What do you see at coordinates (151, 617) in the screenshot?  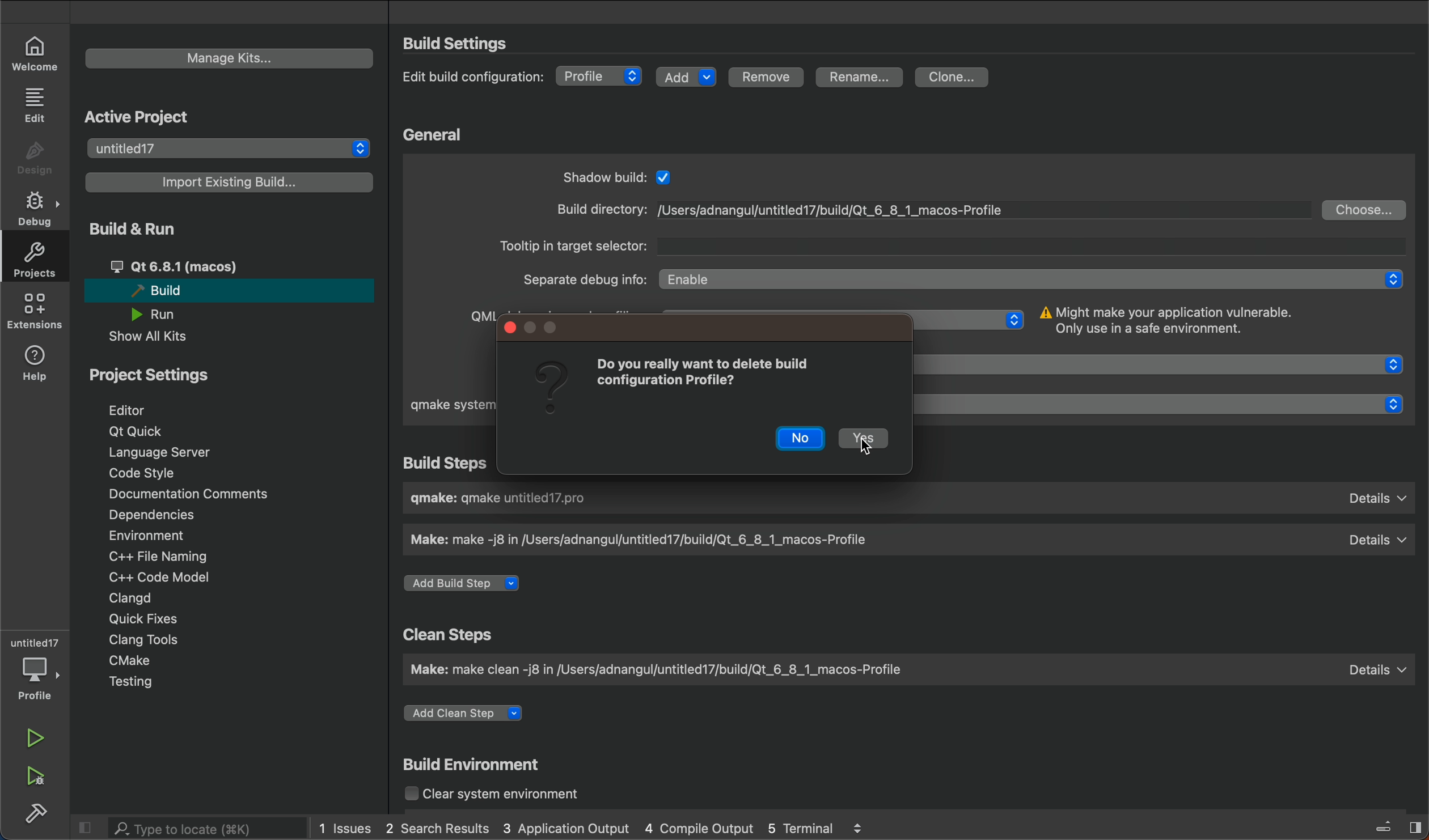 I see `quick fixes` at bounding box center [151, 617].